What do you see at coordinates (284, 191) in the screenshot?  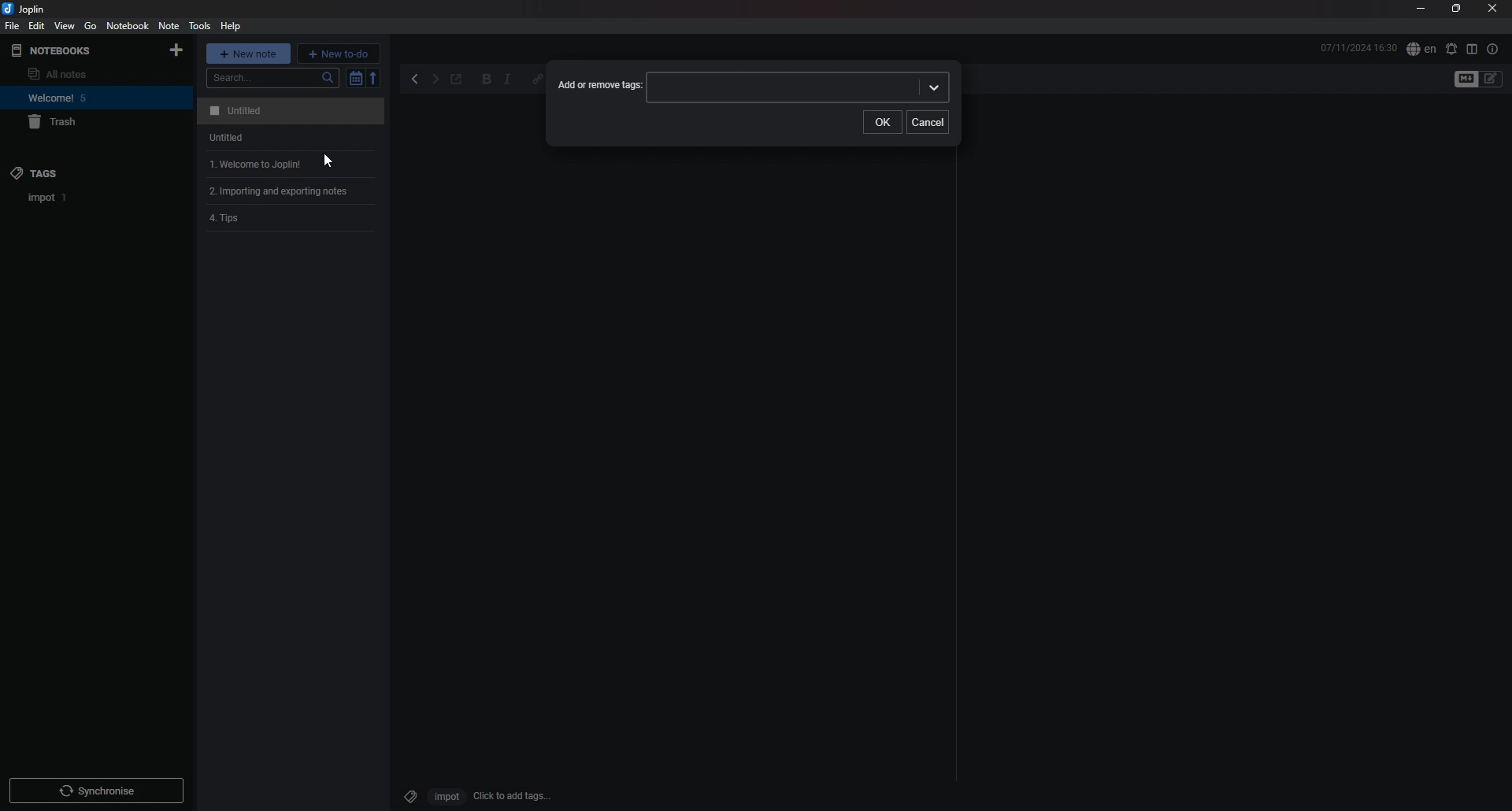 I see `2. Importing` at bounding box center [284, 191].